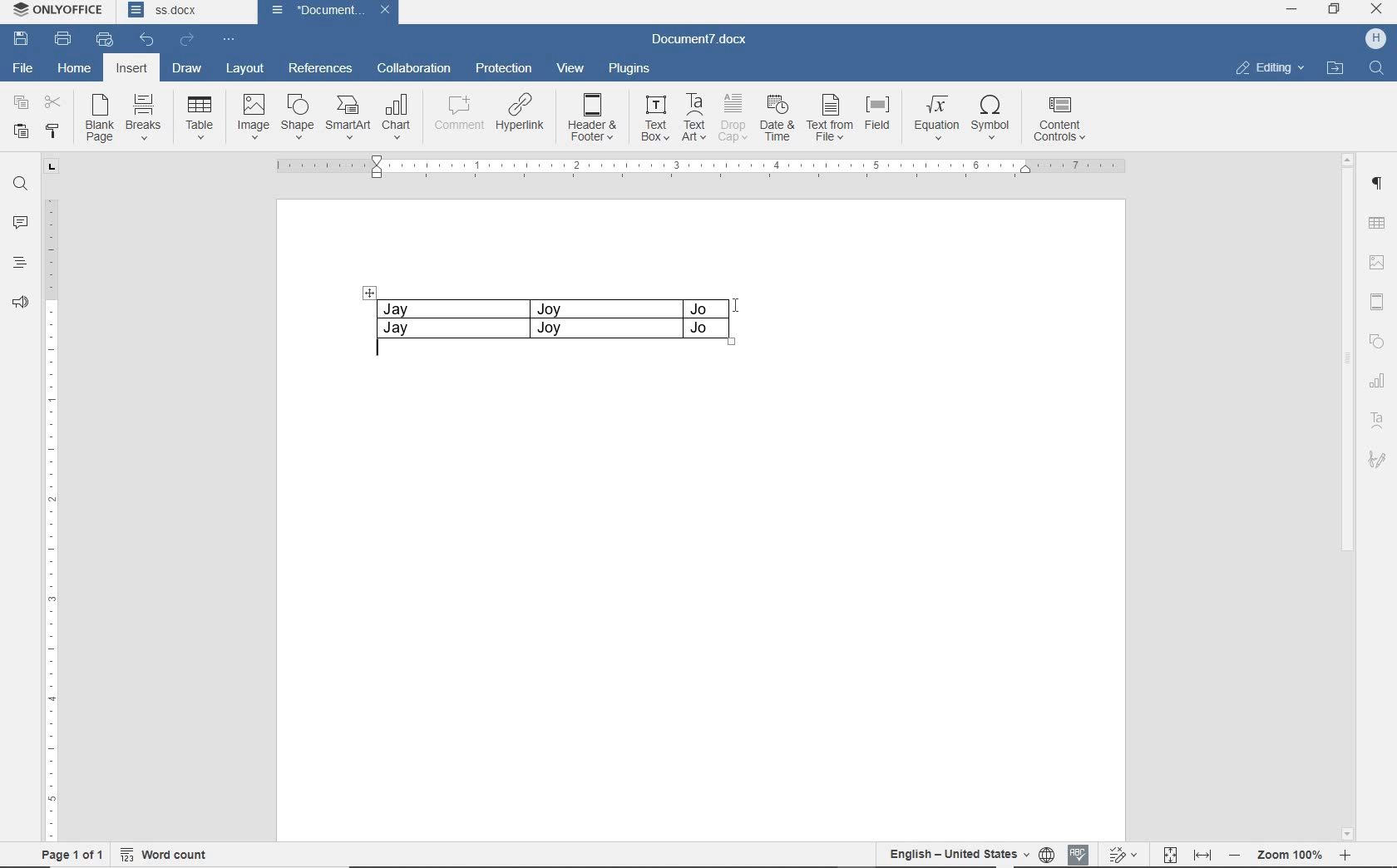  I want to click on PAGE 1 OF 1, so click(72, 854).